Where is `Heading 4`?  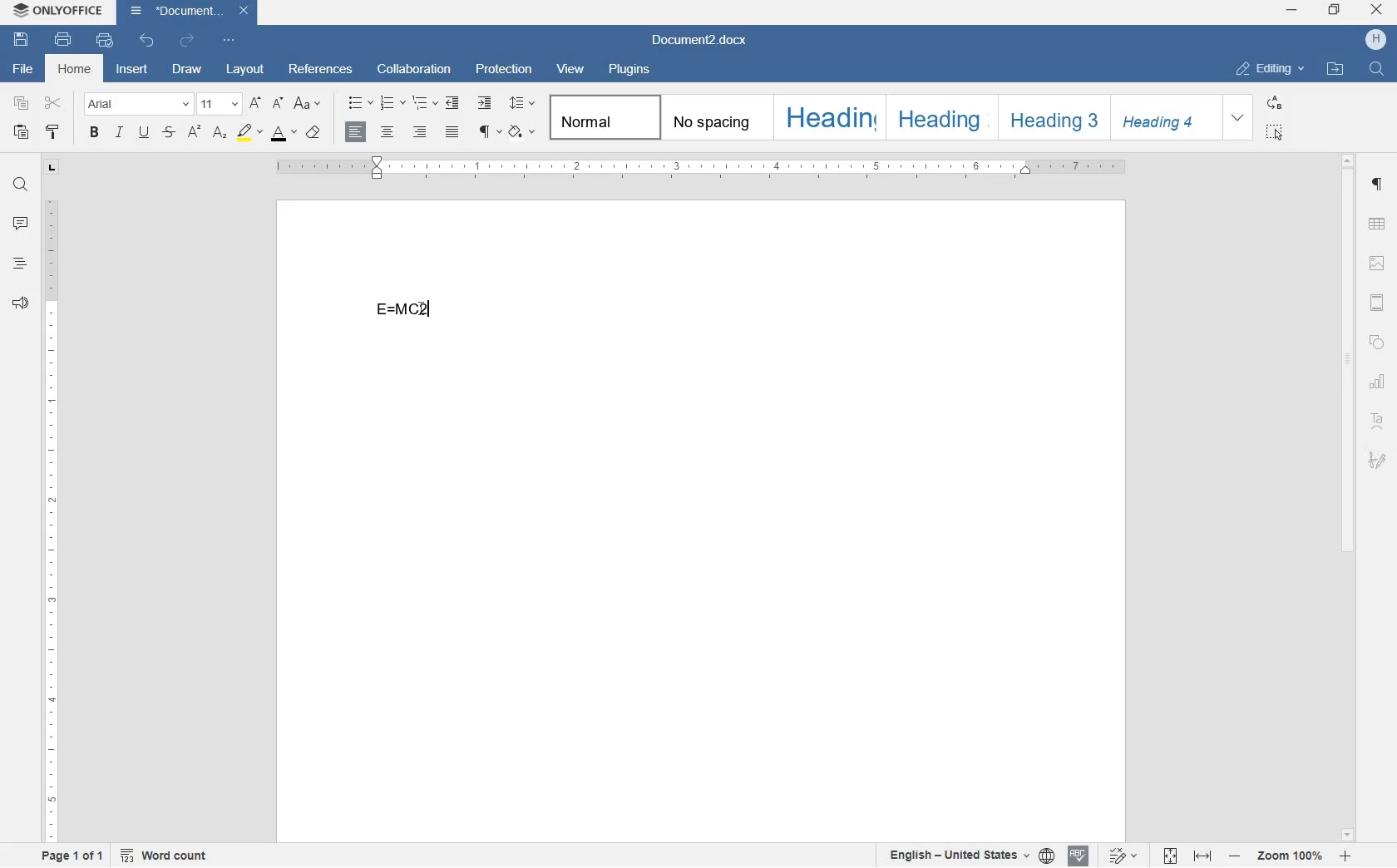
Heading 4 is located at coordinates (1158, 118).